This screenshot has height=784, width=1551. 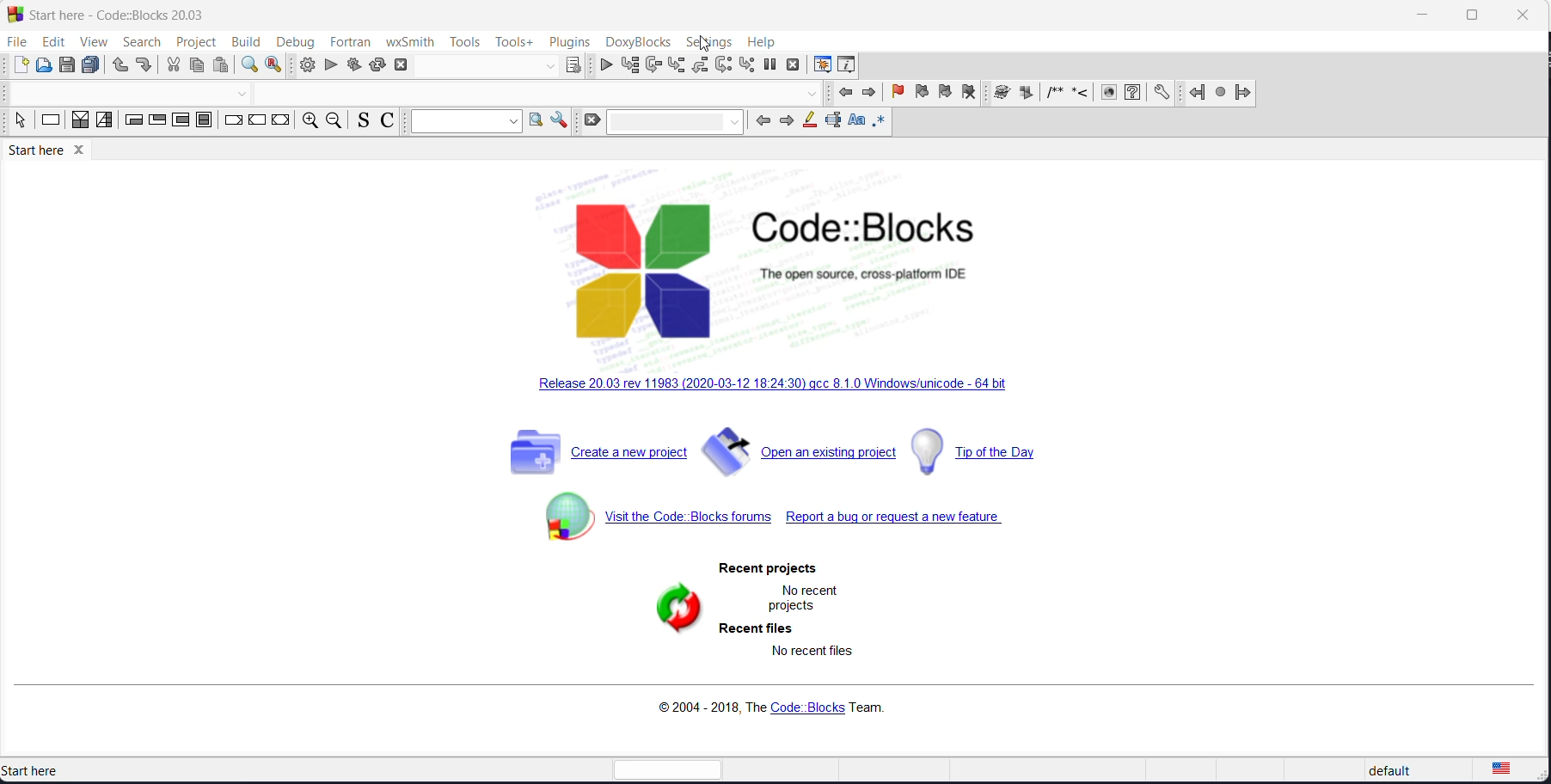 I want to click on build, so click(x=307, y=64).